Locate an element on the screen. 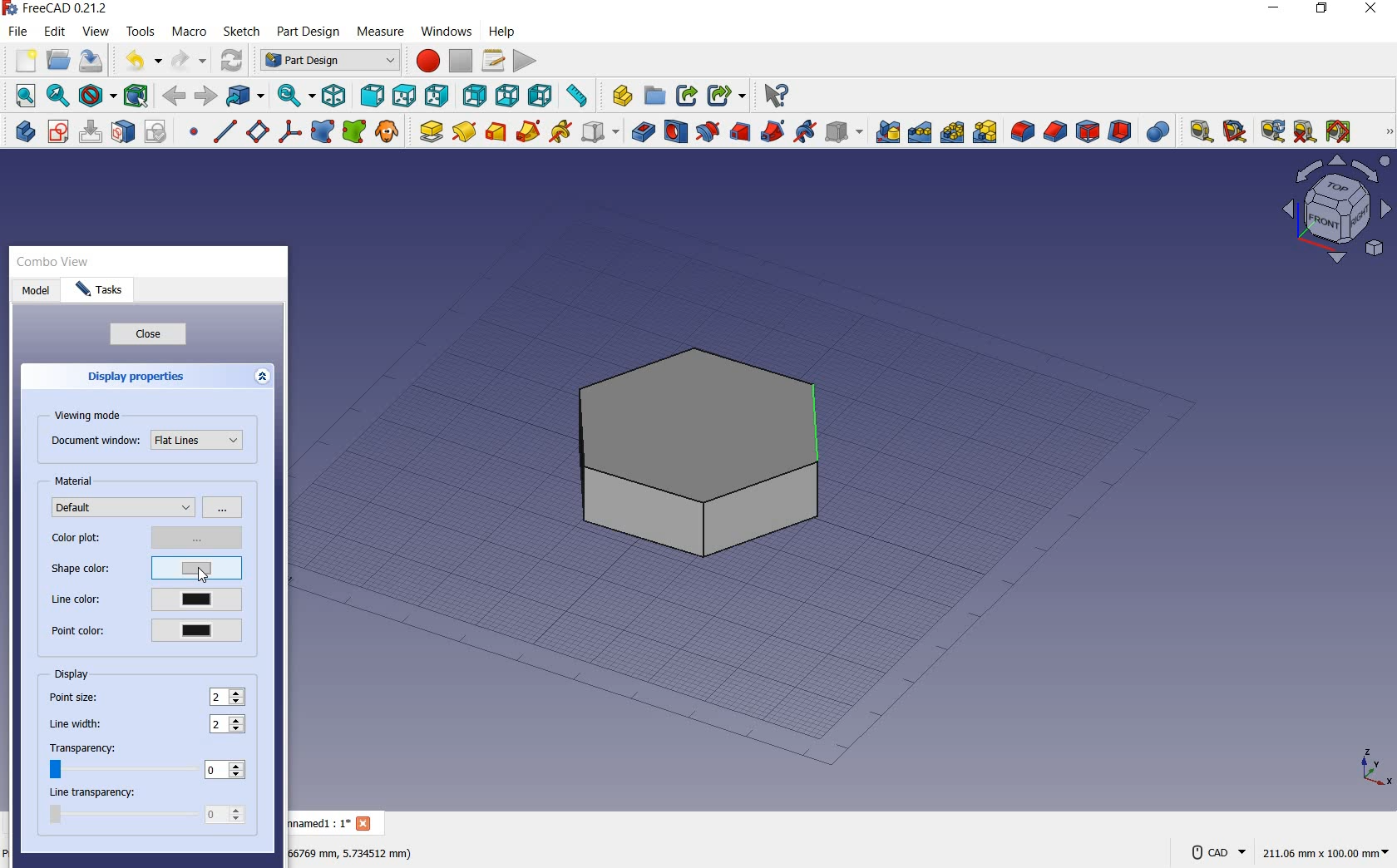 Image resolution: width=1397 pixels, height=868 pixels. FreeCAD 0.21.2 (Application name) is located at coordinates (57, 9).